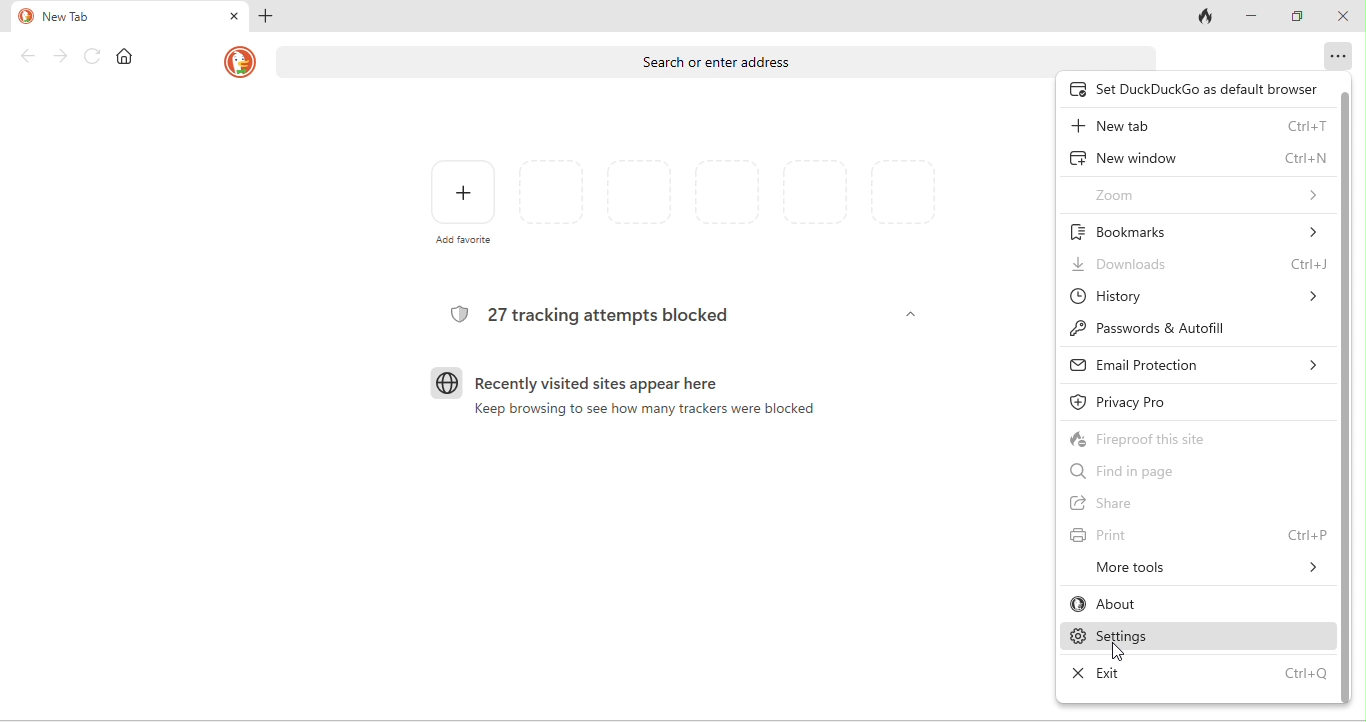  I want to click on privacy pro, so click(1157, 399).